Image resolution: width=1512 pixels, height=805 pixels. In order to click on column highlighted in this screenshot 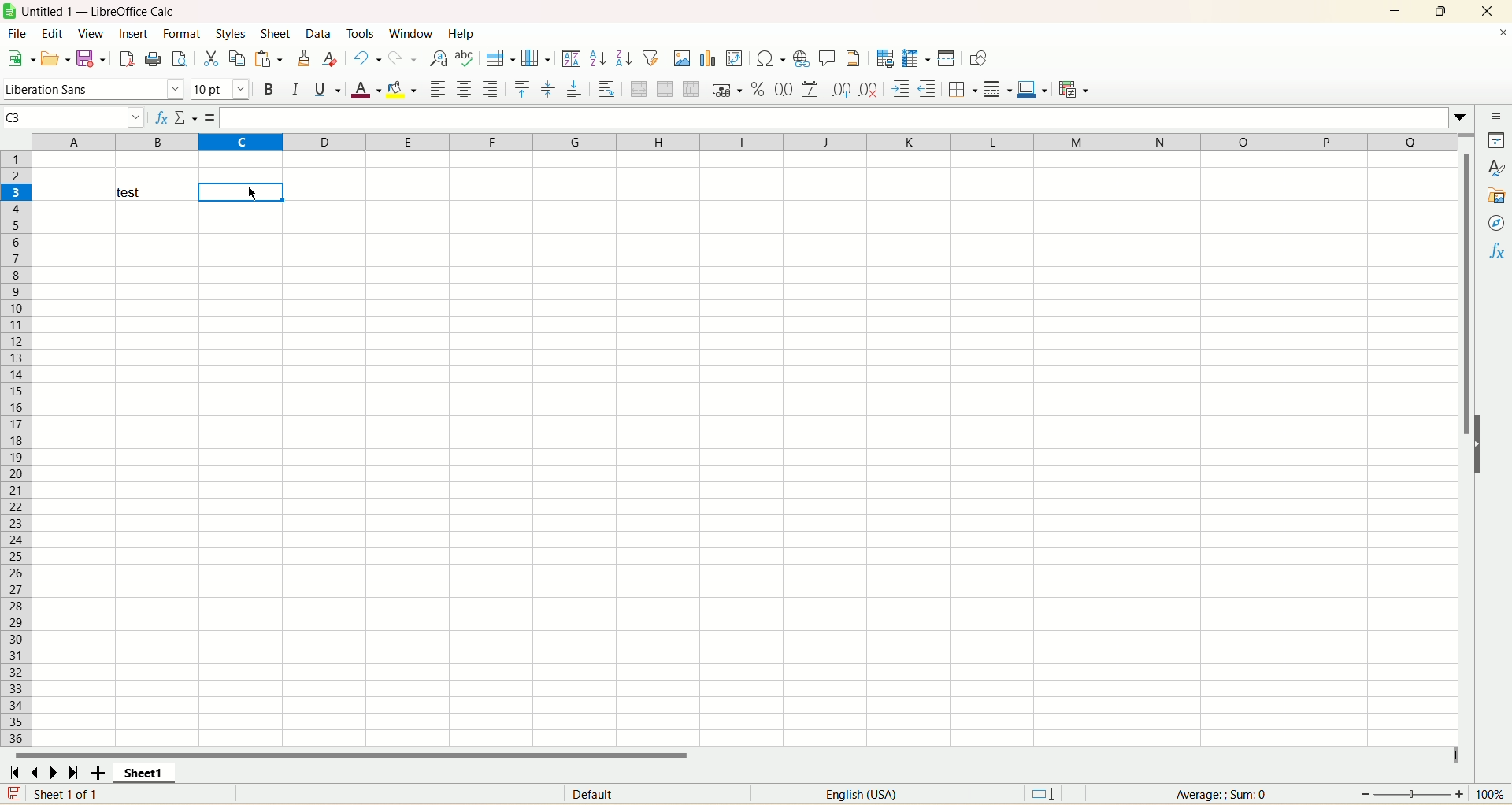, I will do `click(239, 142)`.